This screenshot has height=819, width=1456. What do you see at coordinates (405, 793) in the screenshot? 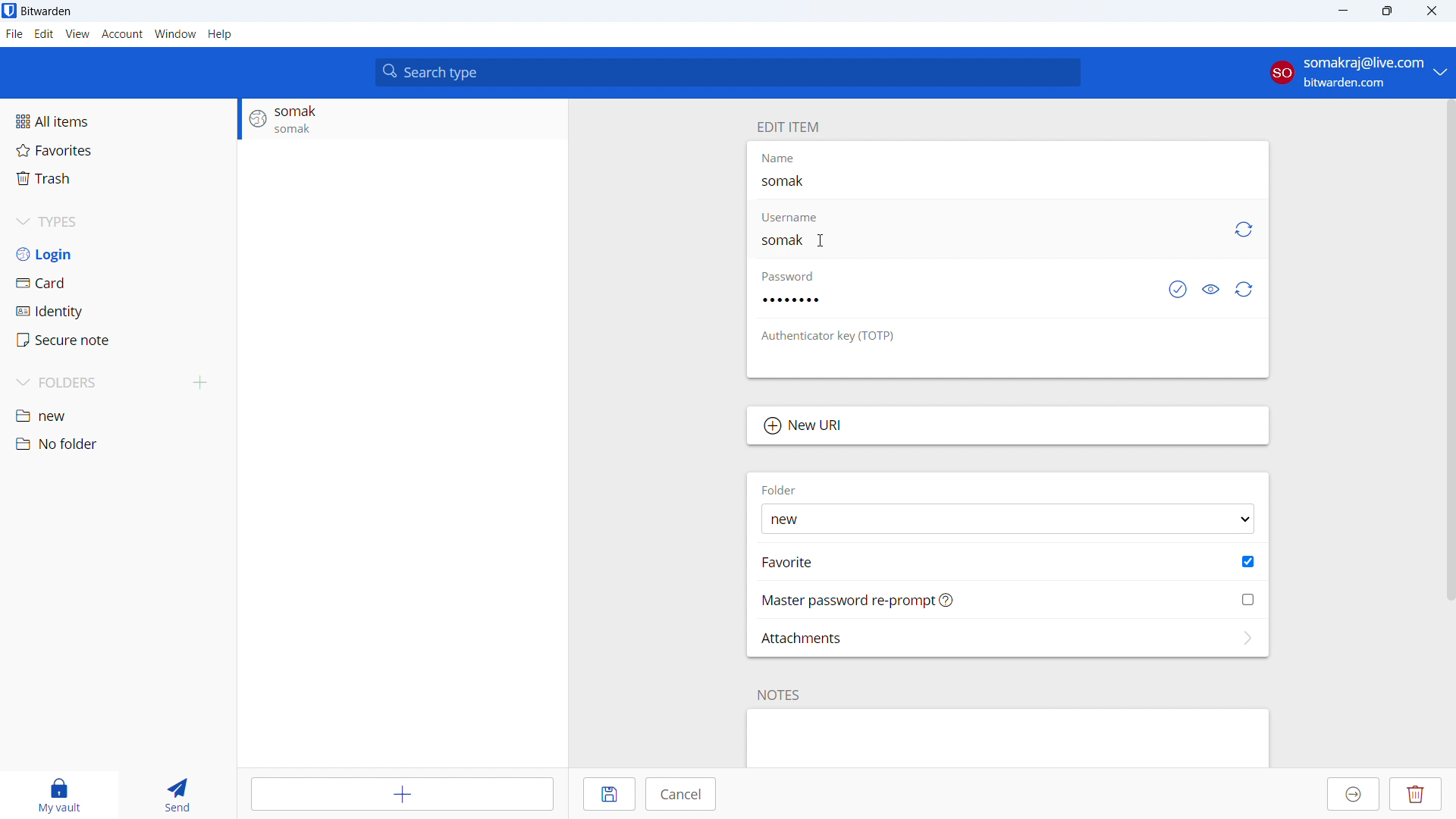
I see `add item` at bounding box center [405, 793].